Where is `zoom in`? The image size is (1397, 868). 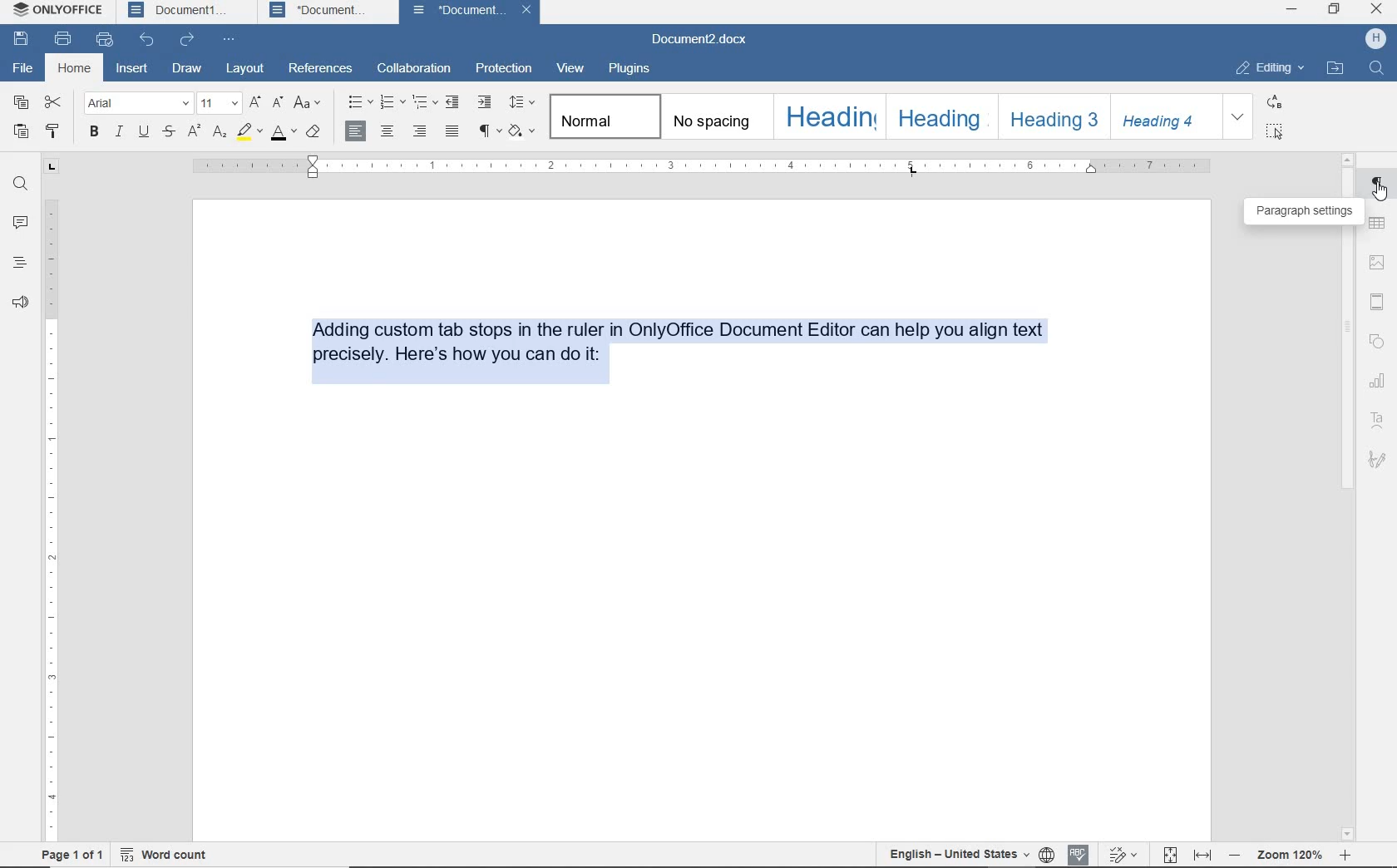
zoom in is located at coordinates (1348, 855).